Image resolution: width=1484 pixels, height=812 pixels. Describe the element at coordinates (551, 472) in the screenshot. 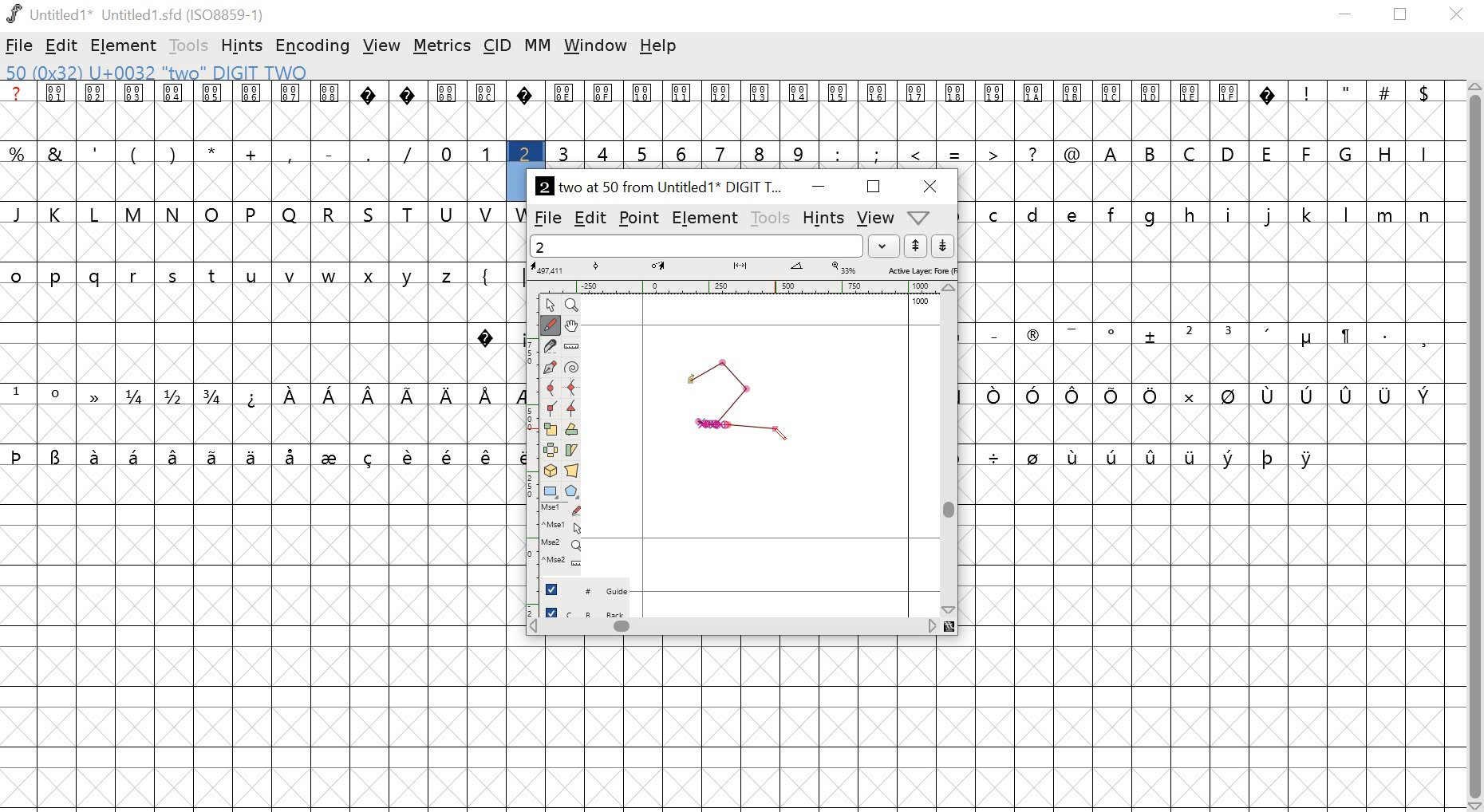

I see `3D rotate` at that location.